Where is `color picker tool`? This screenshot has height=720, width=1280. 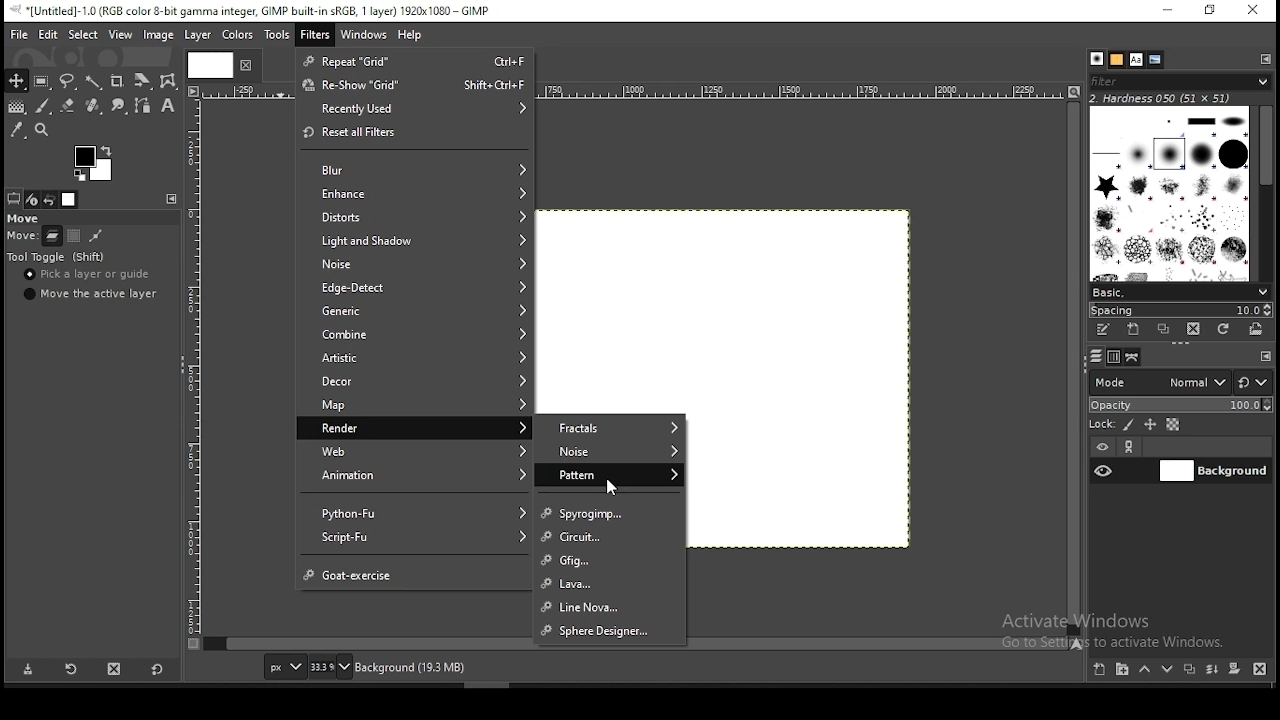
color picker tool is located at coordinates (17, 129).